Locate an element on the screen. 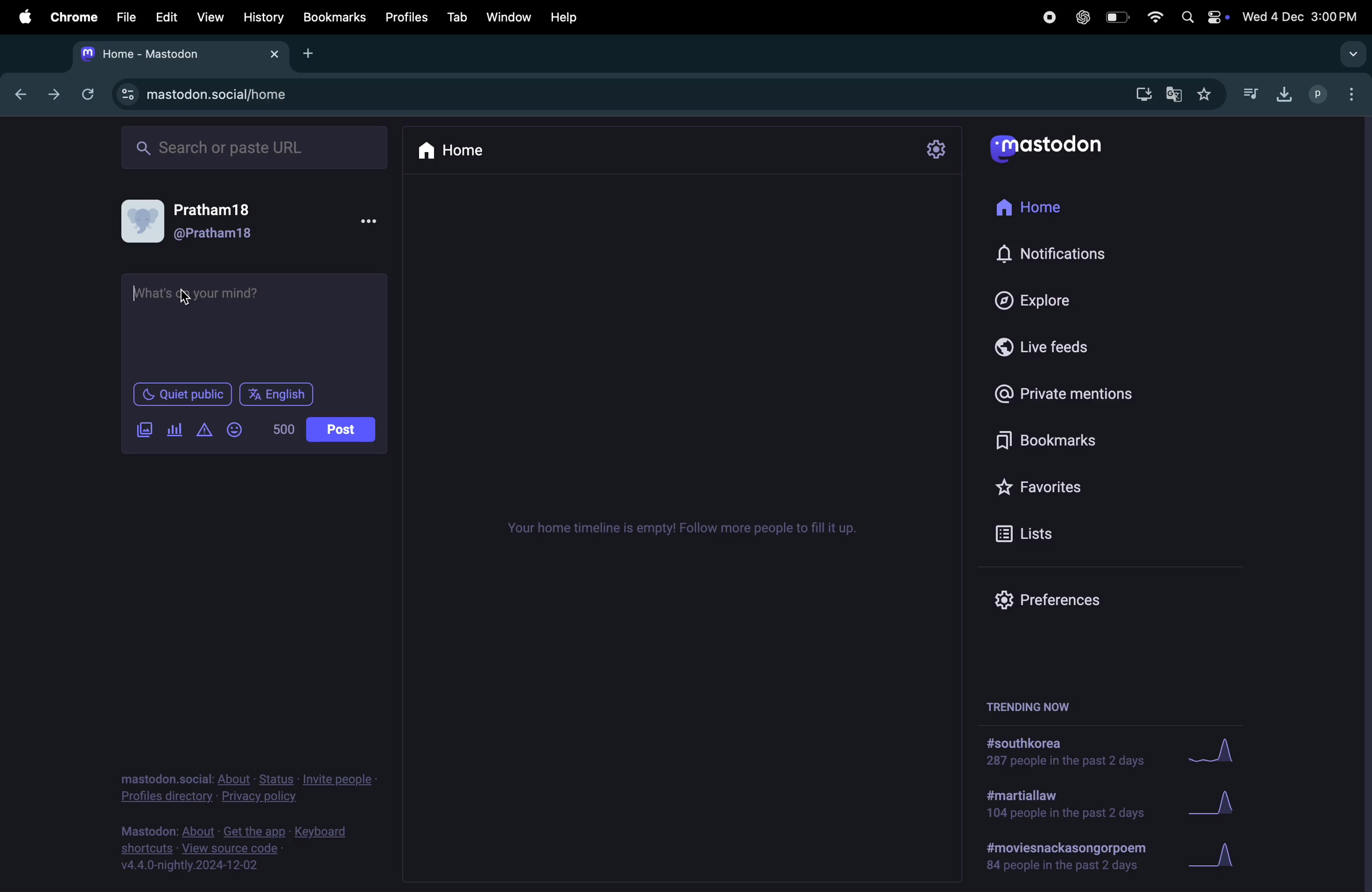 The width and height of the screenshot is (1372, 892). cursor is located at coordinates (138, 293).